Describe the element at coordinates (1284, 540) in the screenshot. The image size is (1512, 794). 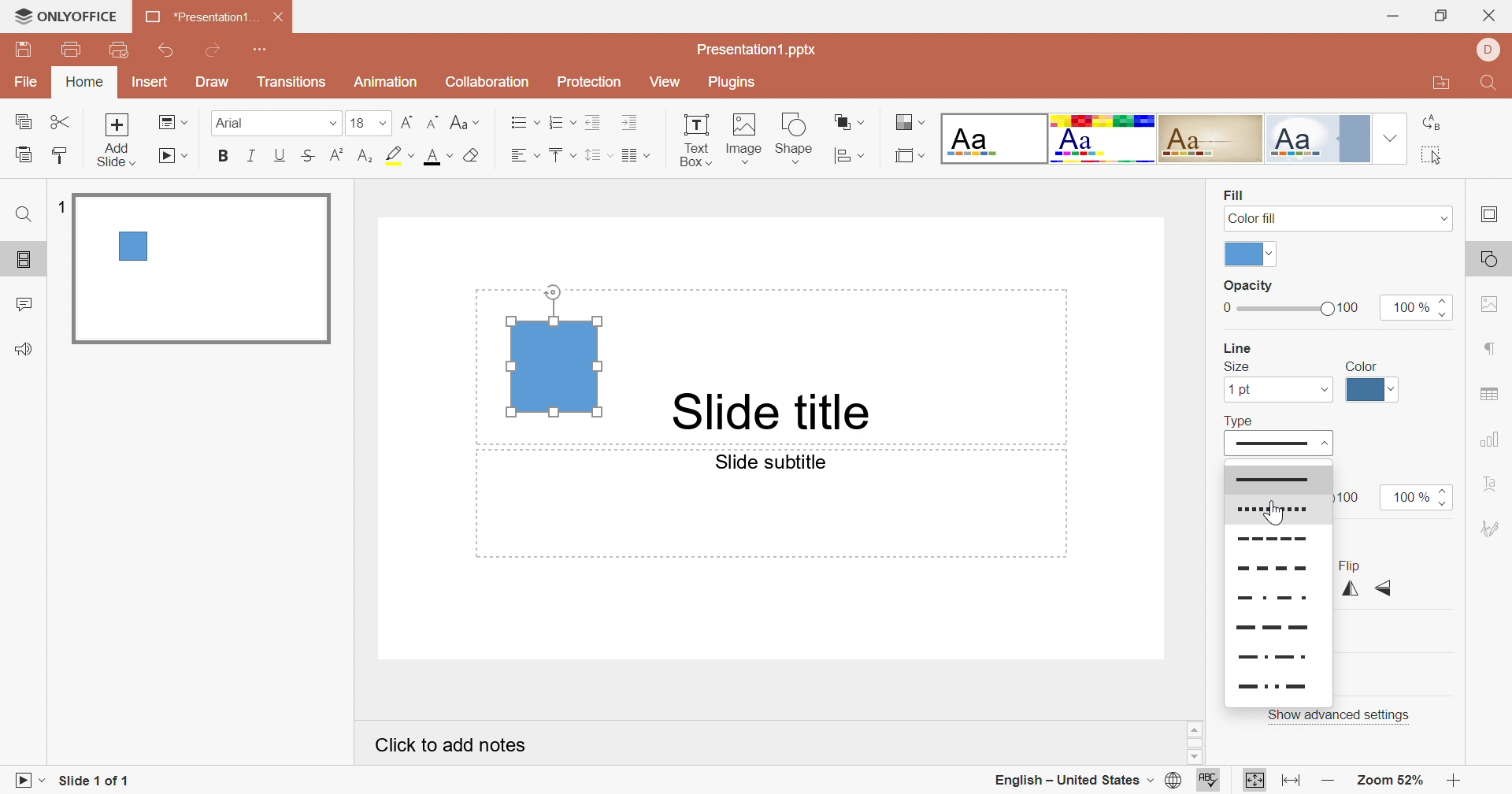
I see `Line` at that location.